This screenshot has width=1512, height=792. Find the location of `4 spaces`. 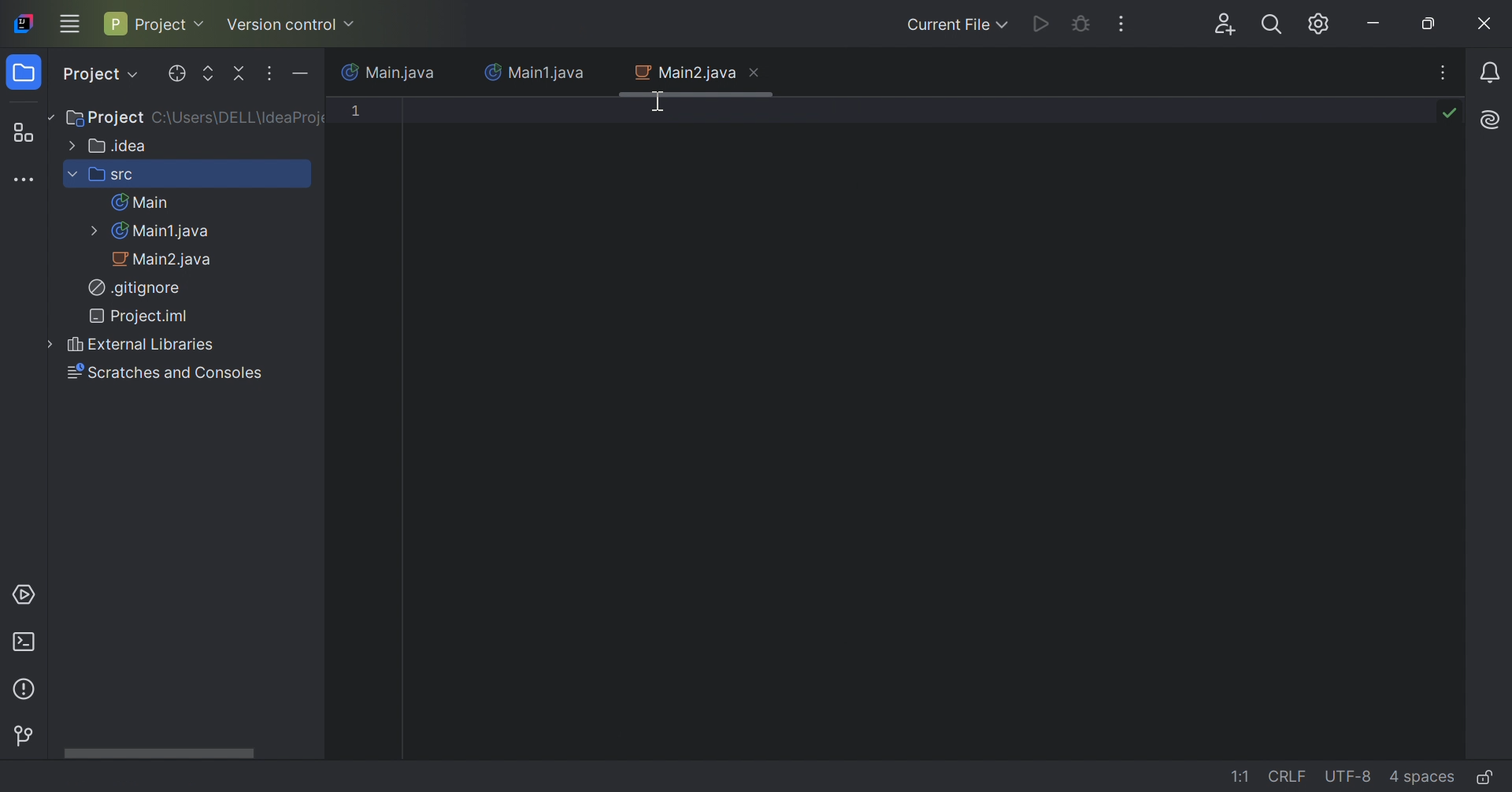

4 spaces is located at coordinates (1421, 775).